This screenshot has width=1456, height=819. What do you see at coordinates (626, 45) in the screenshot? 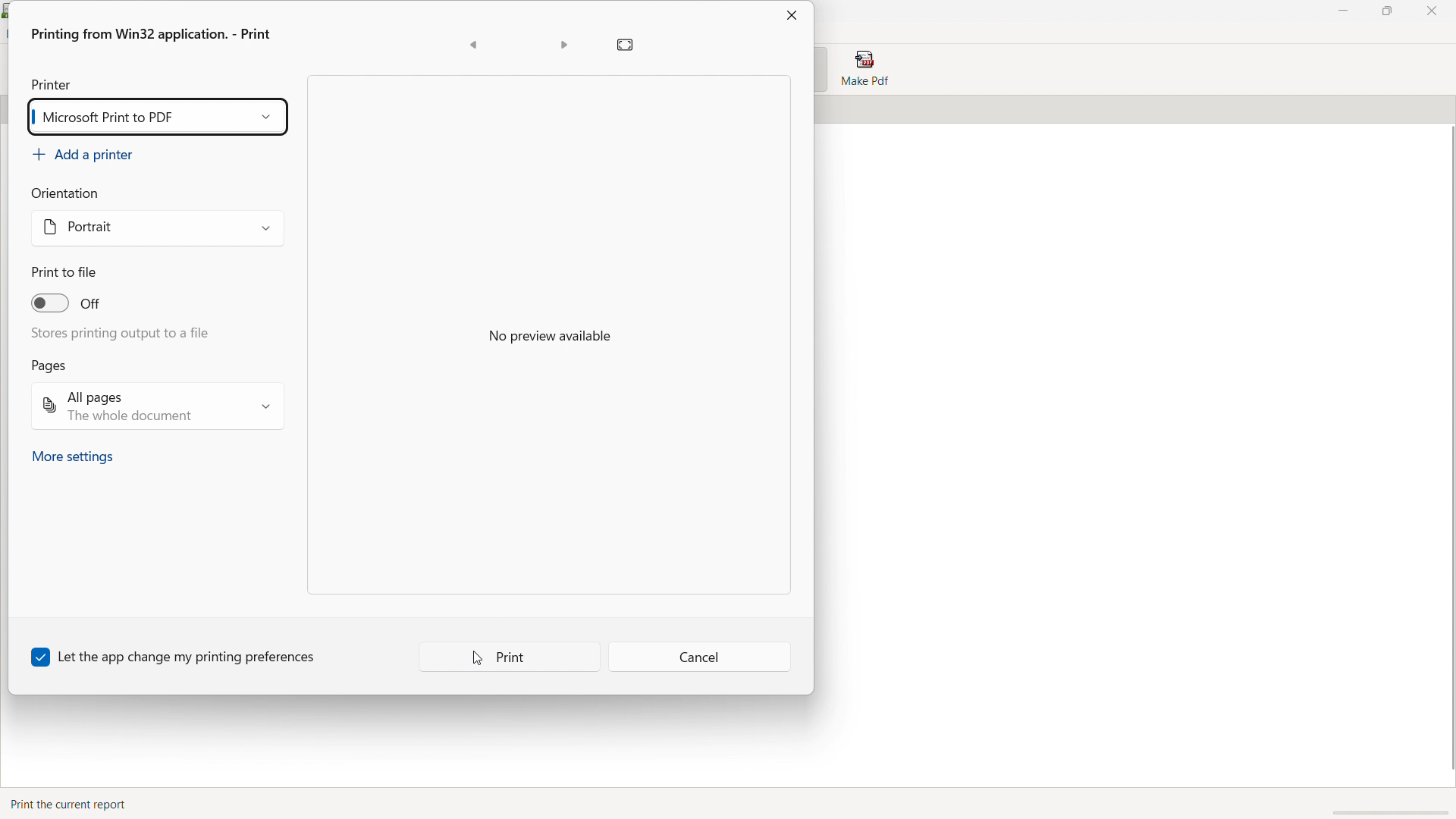
I see `reset preview zoom` at bounding box center [626, 45].